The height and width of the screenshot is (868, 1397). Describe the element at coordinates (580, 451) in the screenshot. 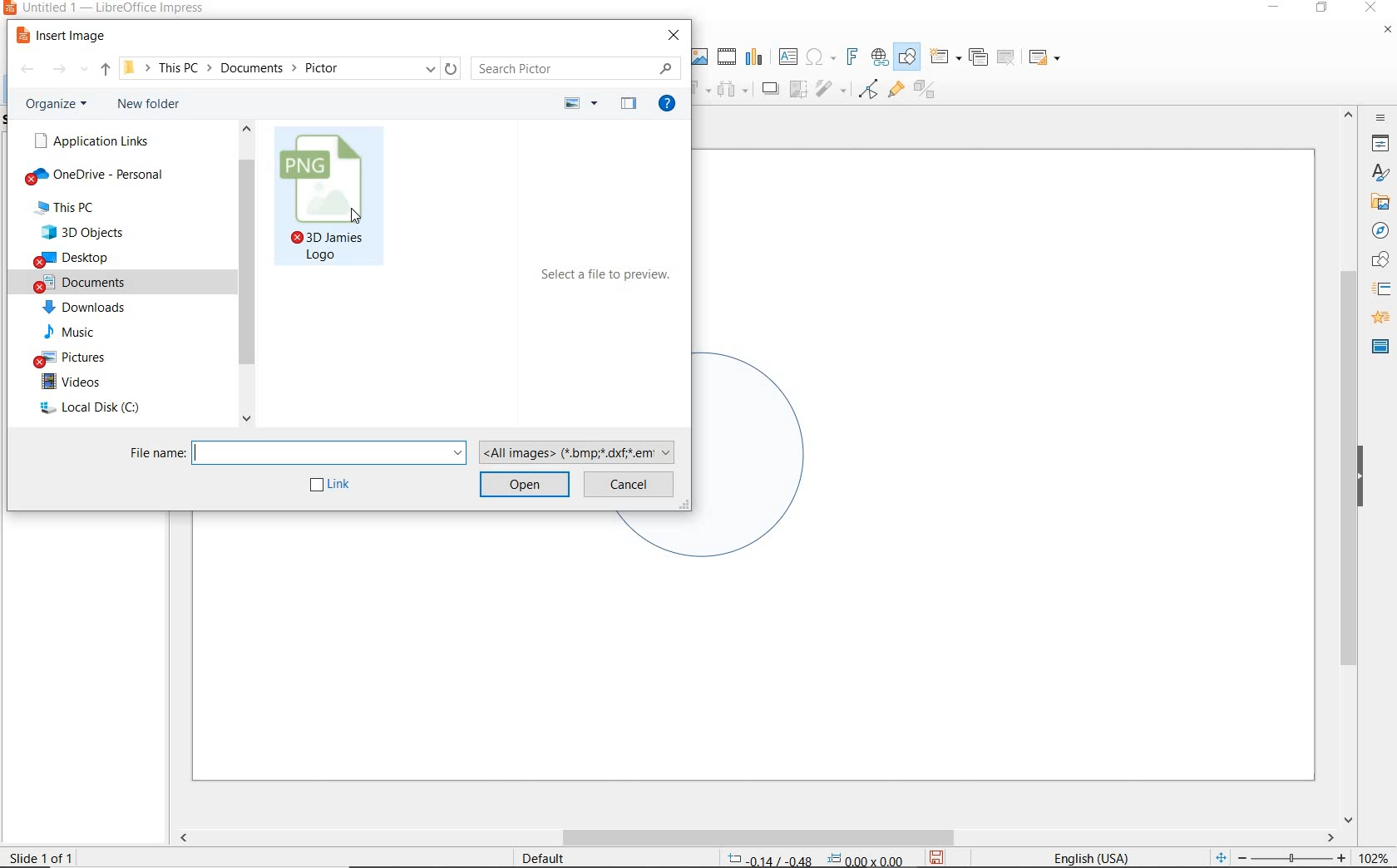

I see `file types` at that location.